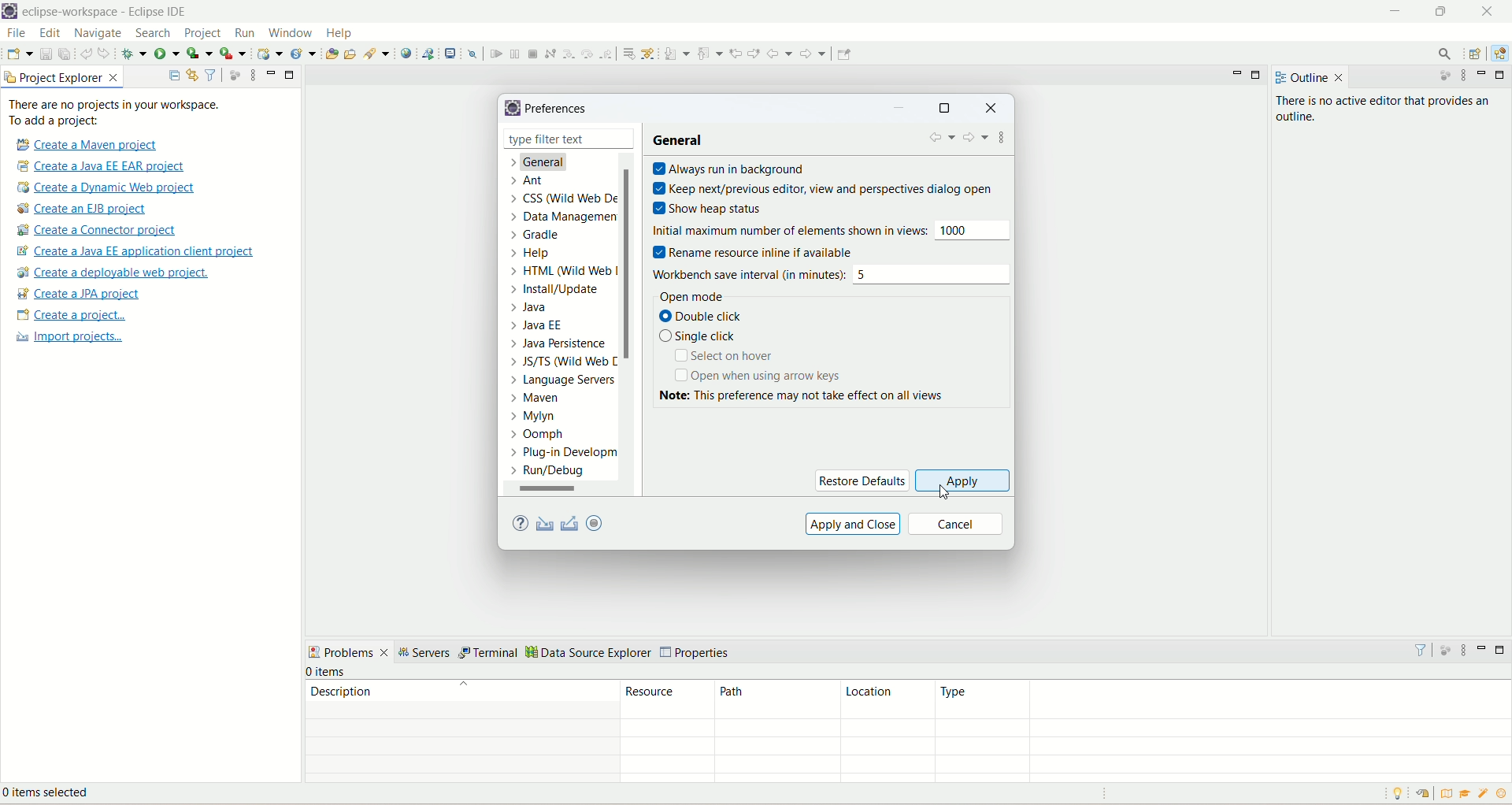 This screenshot has height=805, width=1512. What do you see at coordinates (106, 53) in the screenshot?
I see `redo` at bounding box center [106, 53].